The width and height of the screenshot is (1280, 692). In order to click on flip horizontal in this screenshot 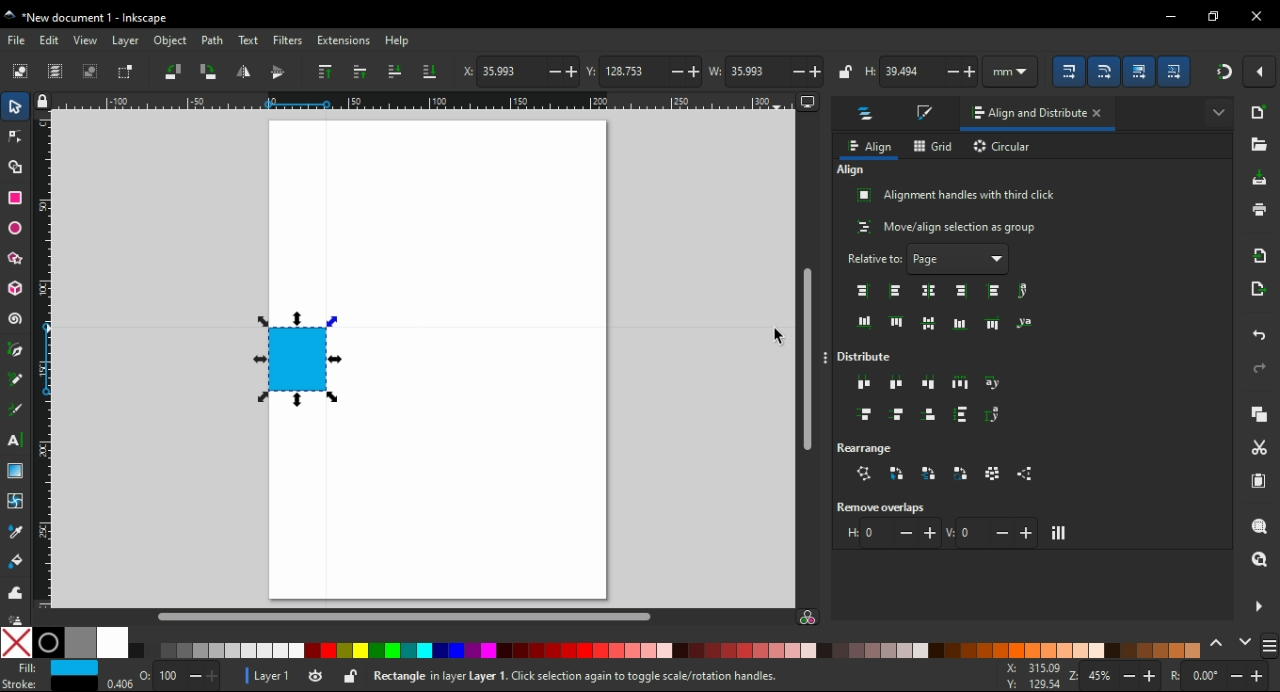, I will do `click(242, 72)`.